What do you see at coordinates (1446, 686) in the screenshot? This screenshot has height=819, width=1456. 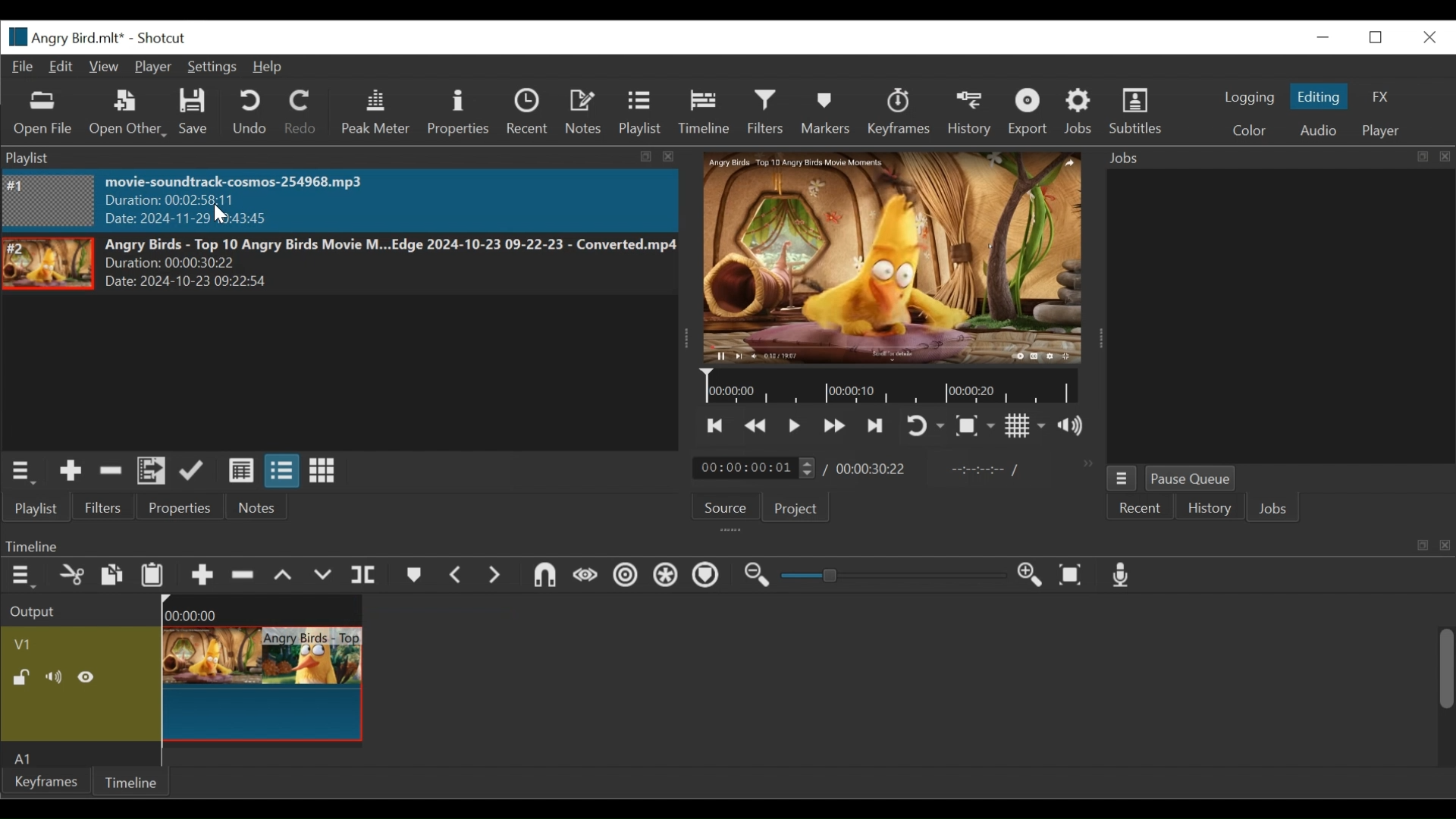 I see `Scrollbar` at bounding box center [1446, 686].